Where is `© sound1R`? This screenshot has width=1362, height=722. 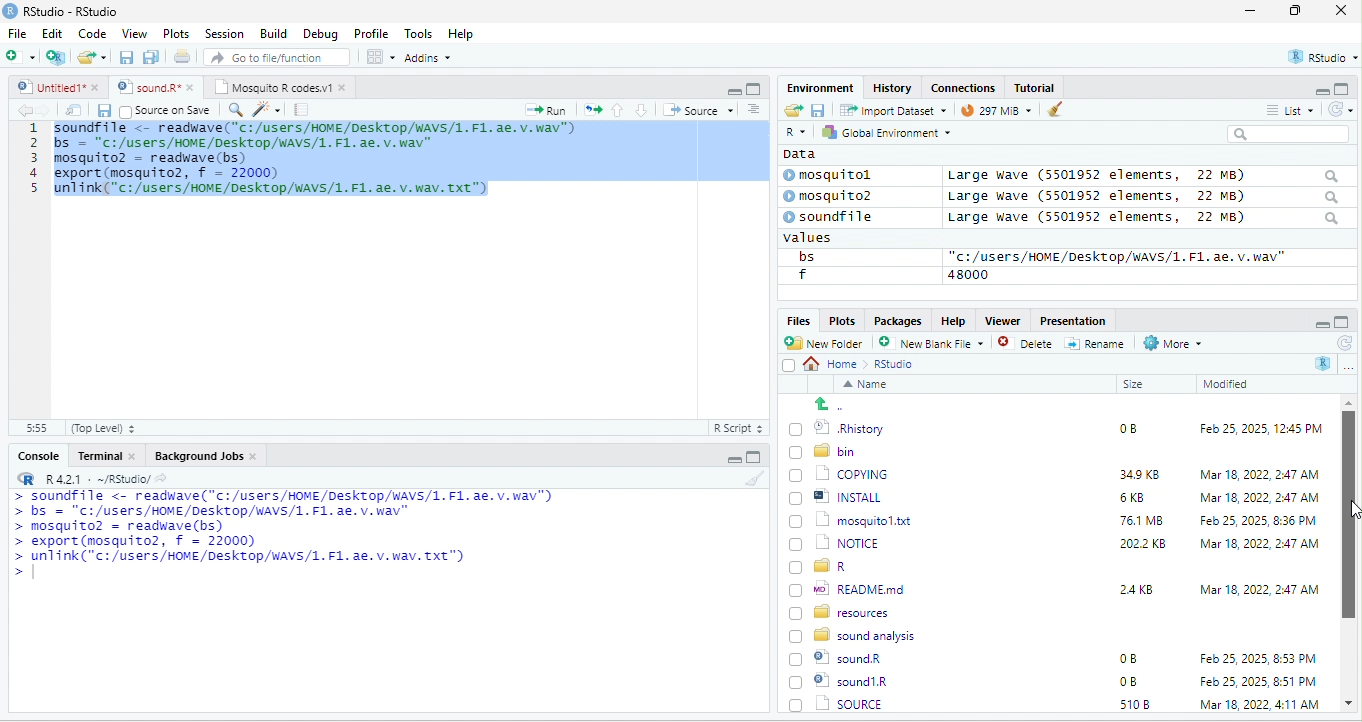 © sound1R is located at coordinates (842, 660).